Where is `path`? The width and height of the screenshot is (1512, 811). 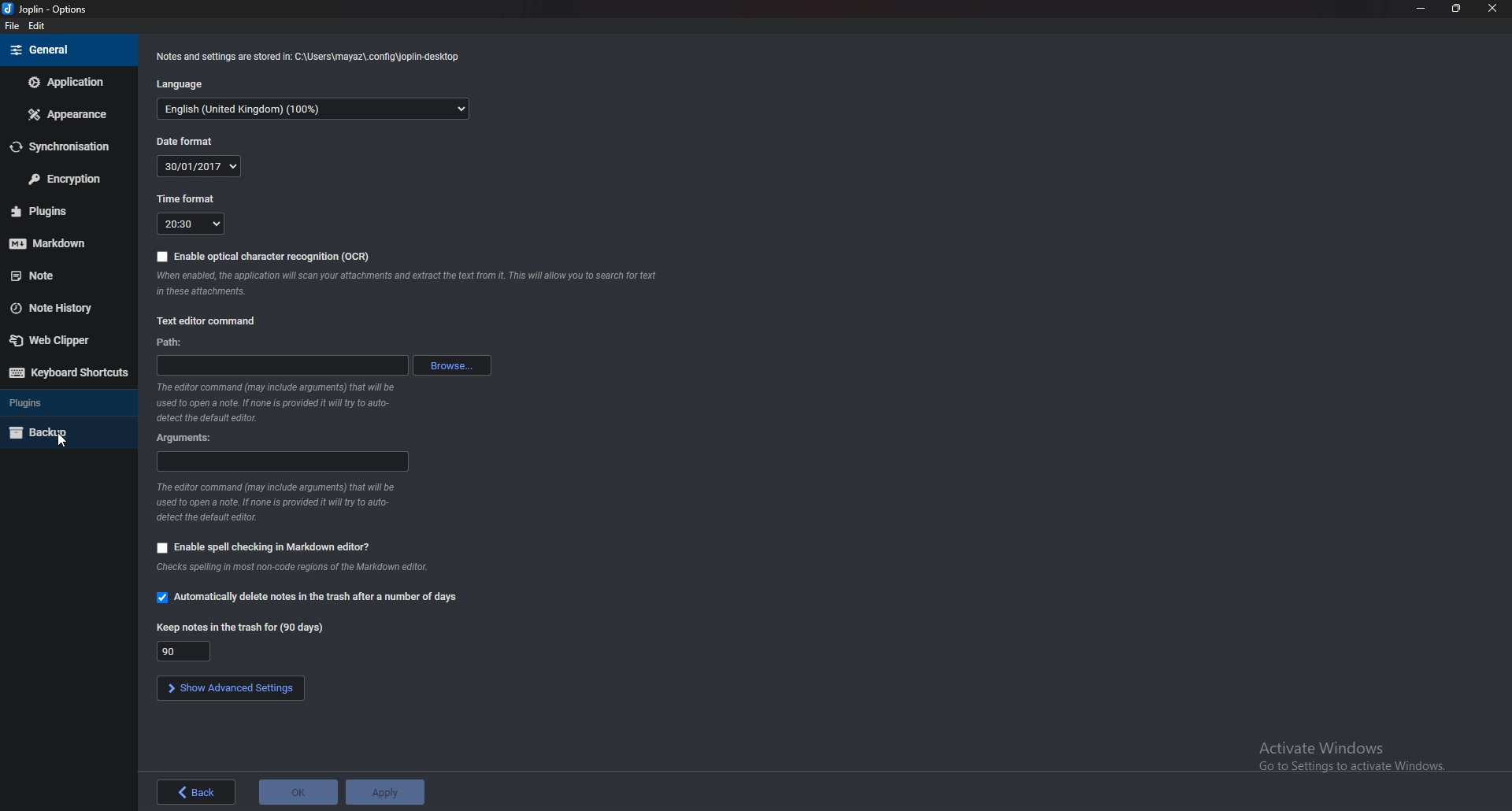 path is located at coordinates (168, 343).